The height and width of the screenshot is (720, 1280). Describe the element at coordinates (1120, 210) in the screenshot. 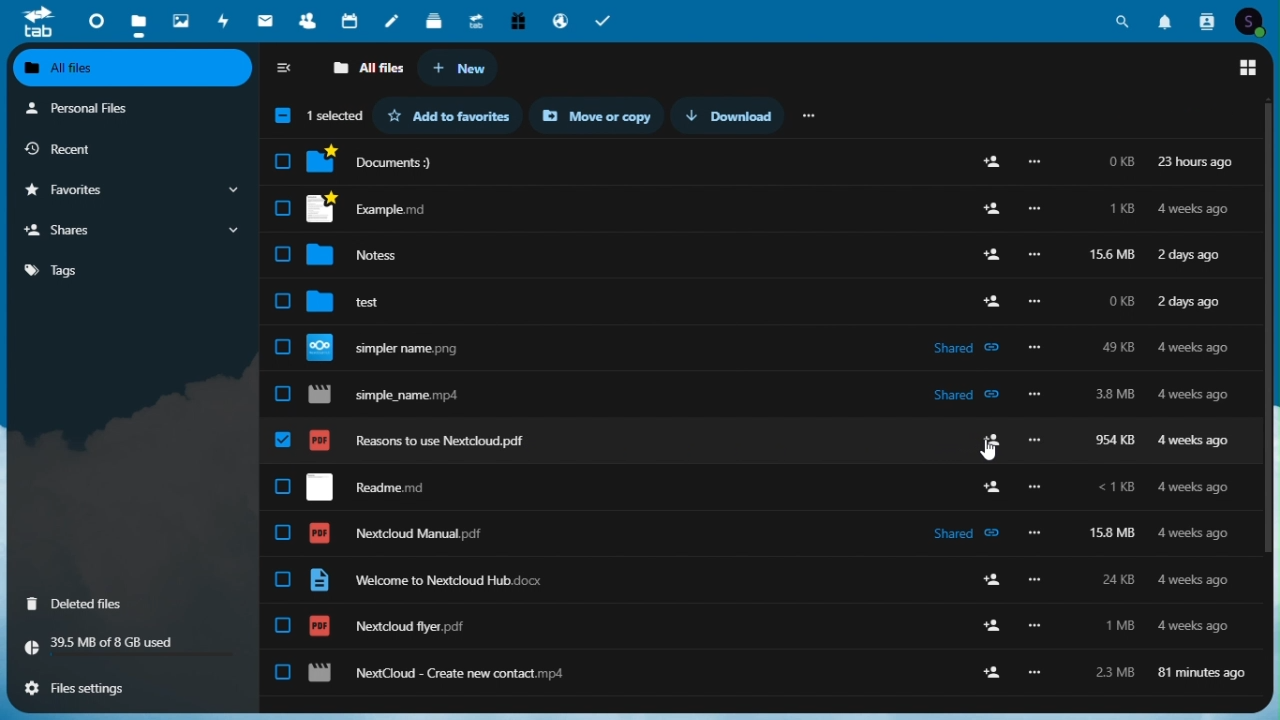

I see `1kb` at that location.